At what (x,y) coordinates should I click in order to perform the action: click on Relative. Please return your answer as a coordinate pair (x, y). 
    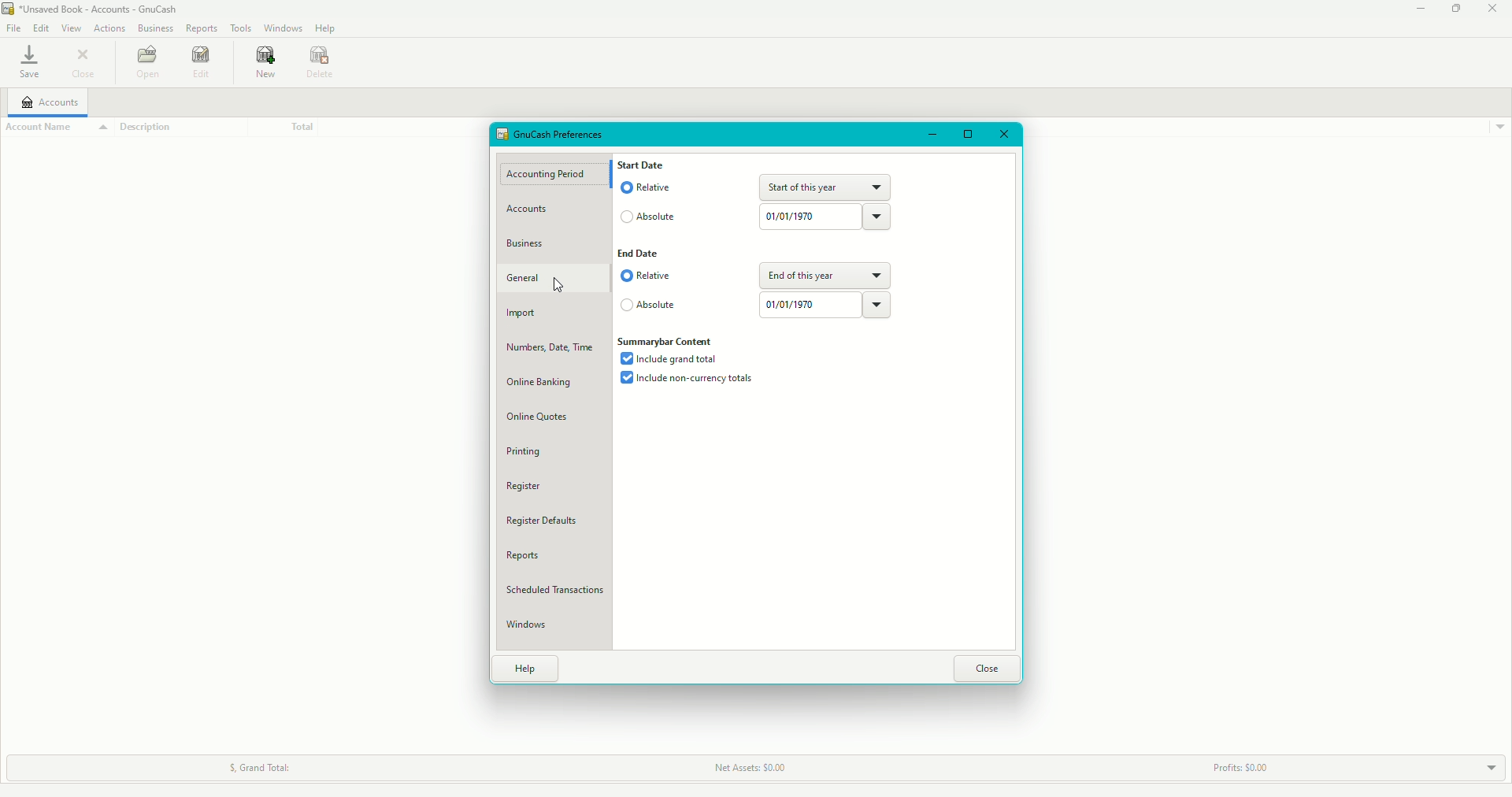
    Looking at the image, I should click on (654, 275).